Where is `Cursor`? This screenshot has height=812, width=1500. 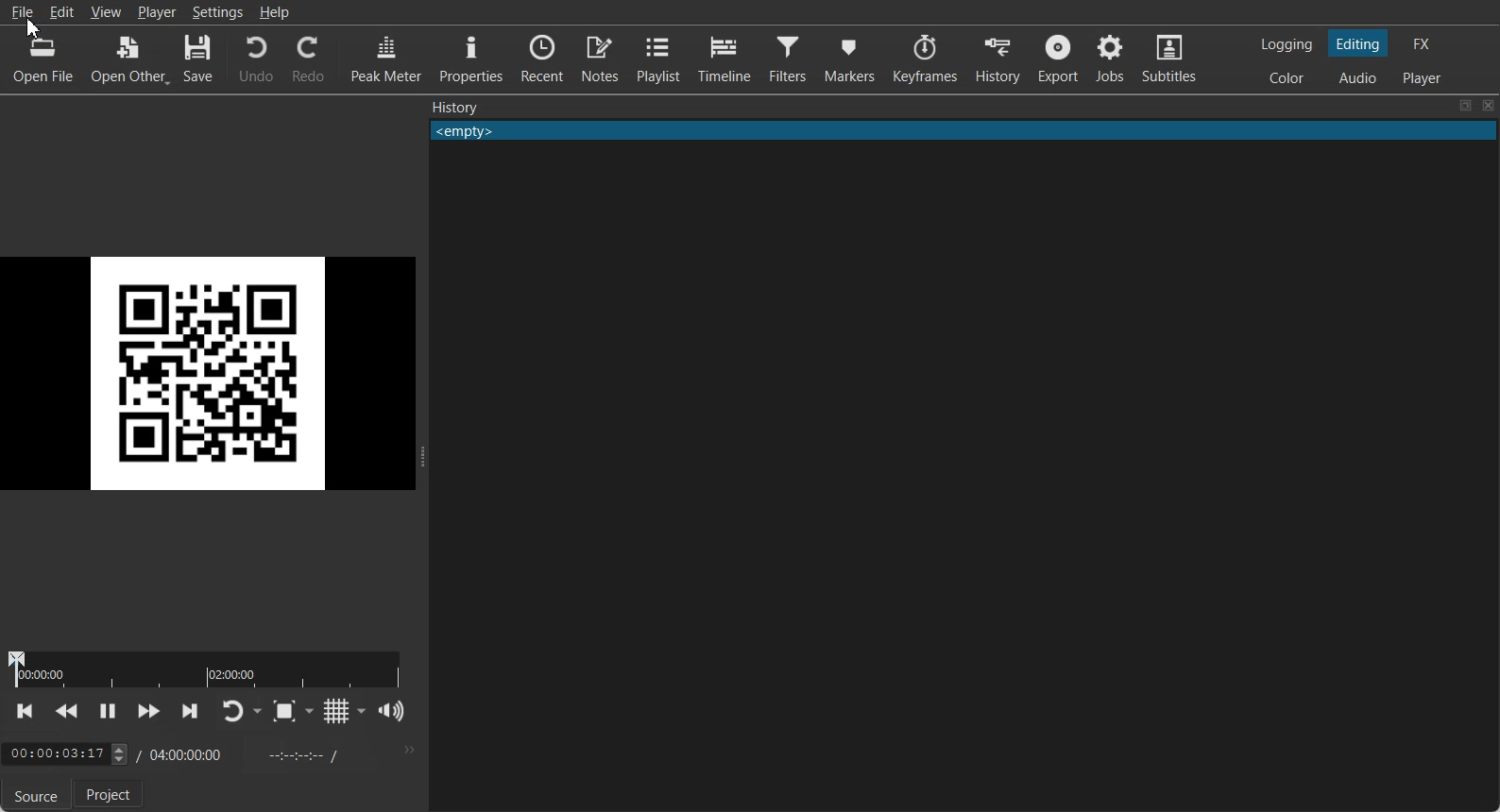 Cursor is located at coordinates (32, 26).